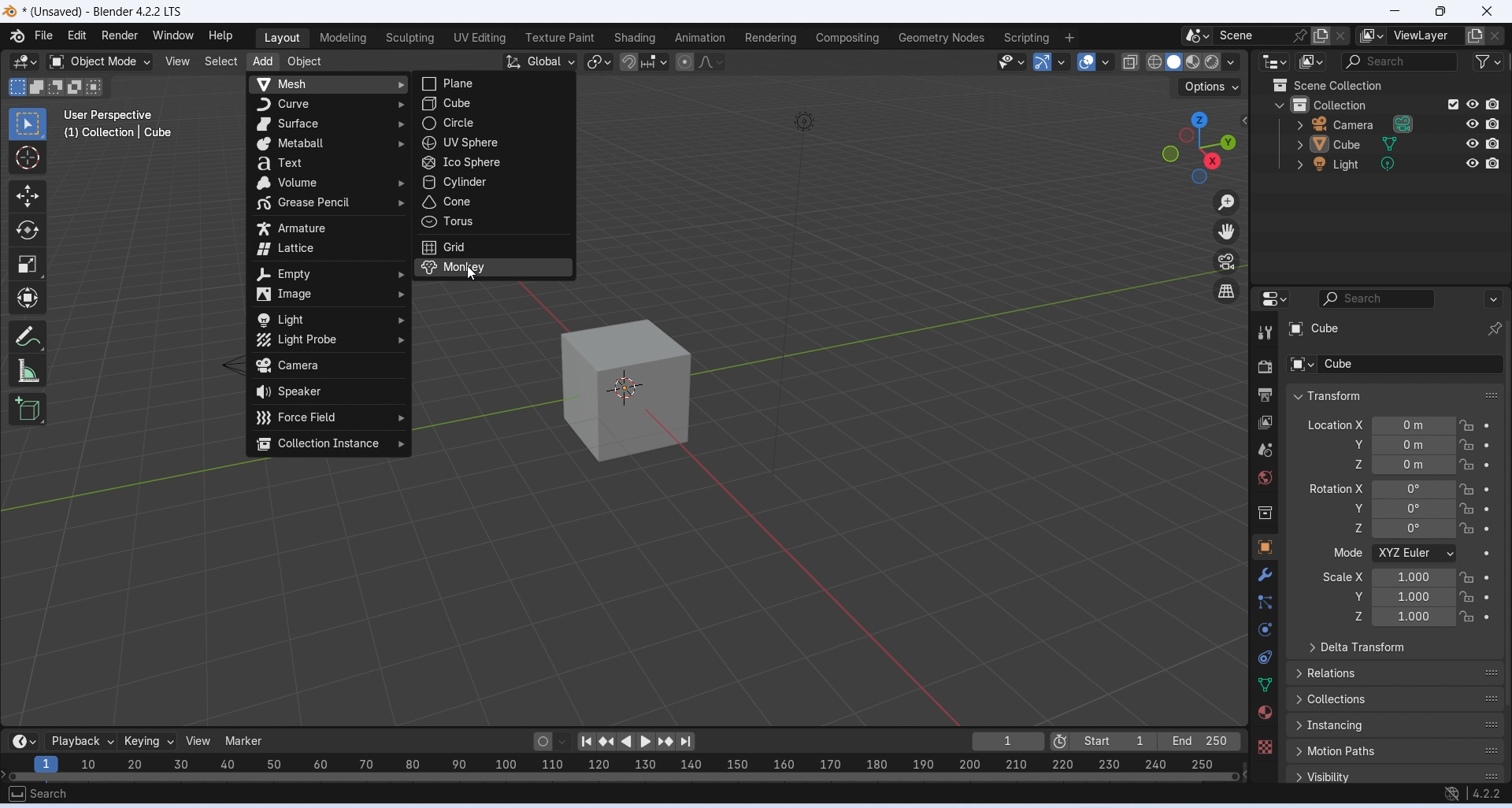 The image size is (1512, 808). Describe the element at coordinates (43, 35) in the screenshot. I see `File` at that location.